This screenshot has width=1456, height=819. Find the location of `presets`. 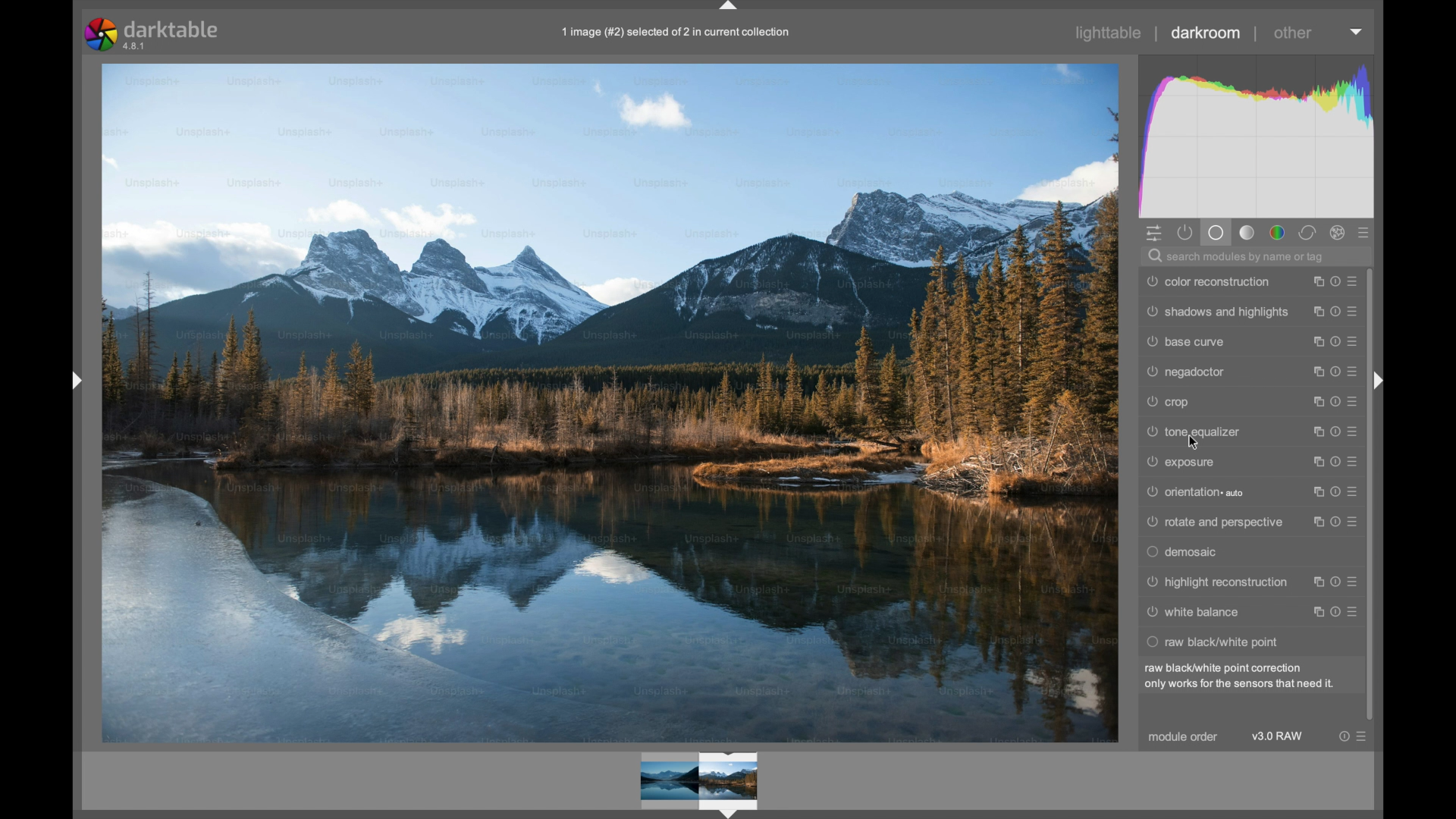

presets is located at coordinates (1367, 233).